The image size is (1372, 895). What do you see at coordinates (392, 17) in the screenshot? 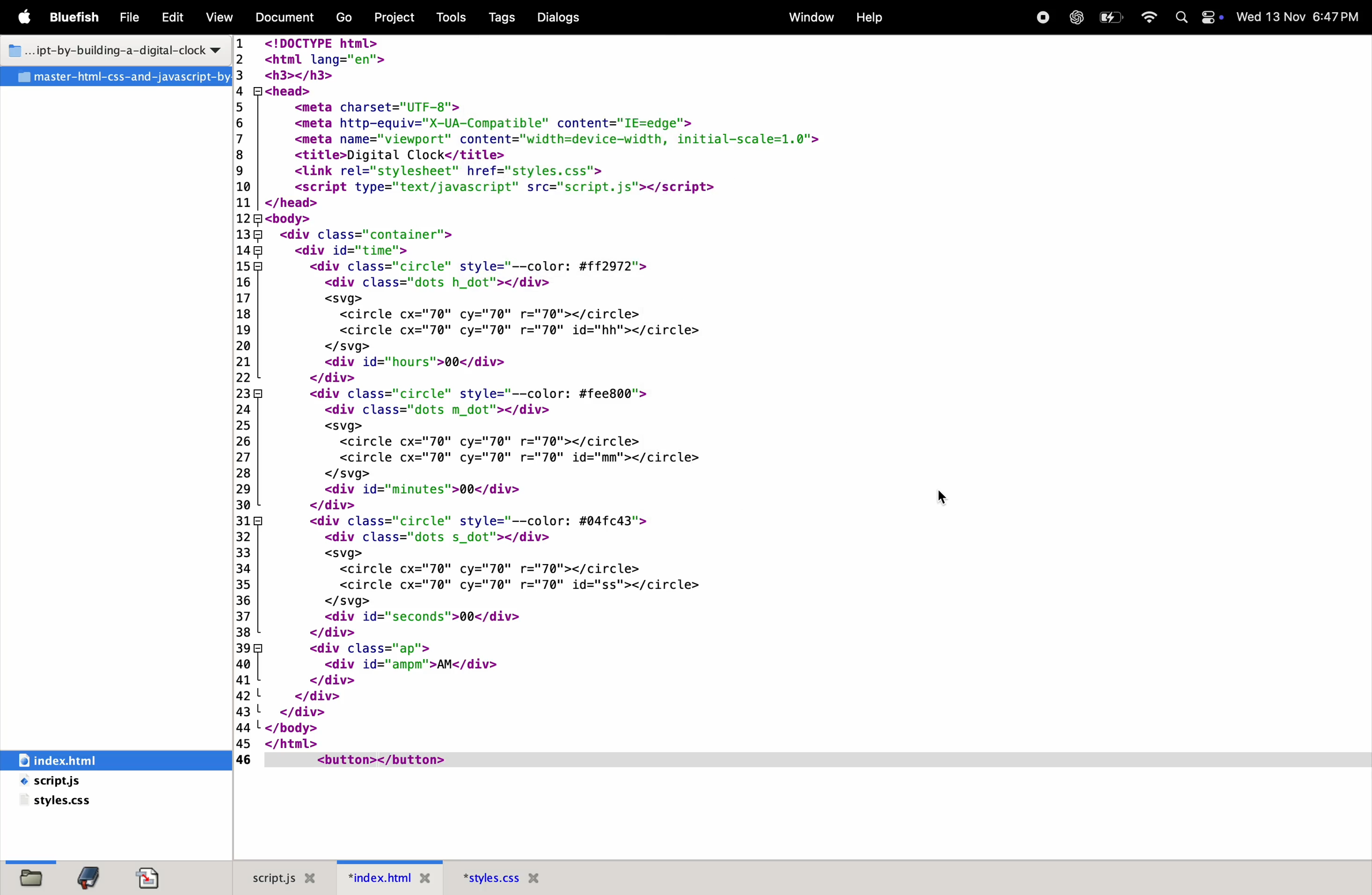
I see `Project` at bounding box center [392, 17].